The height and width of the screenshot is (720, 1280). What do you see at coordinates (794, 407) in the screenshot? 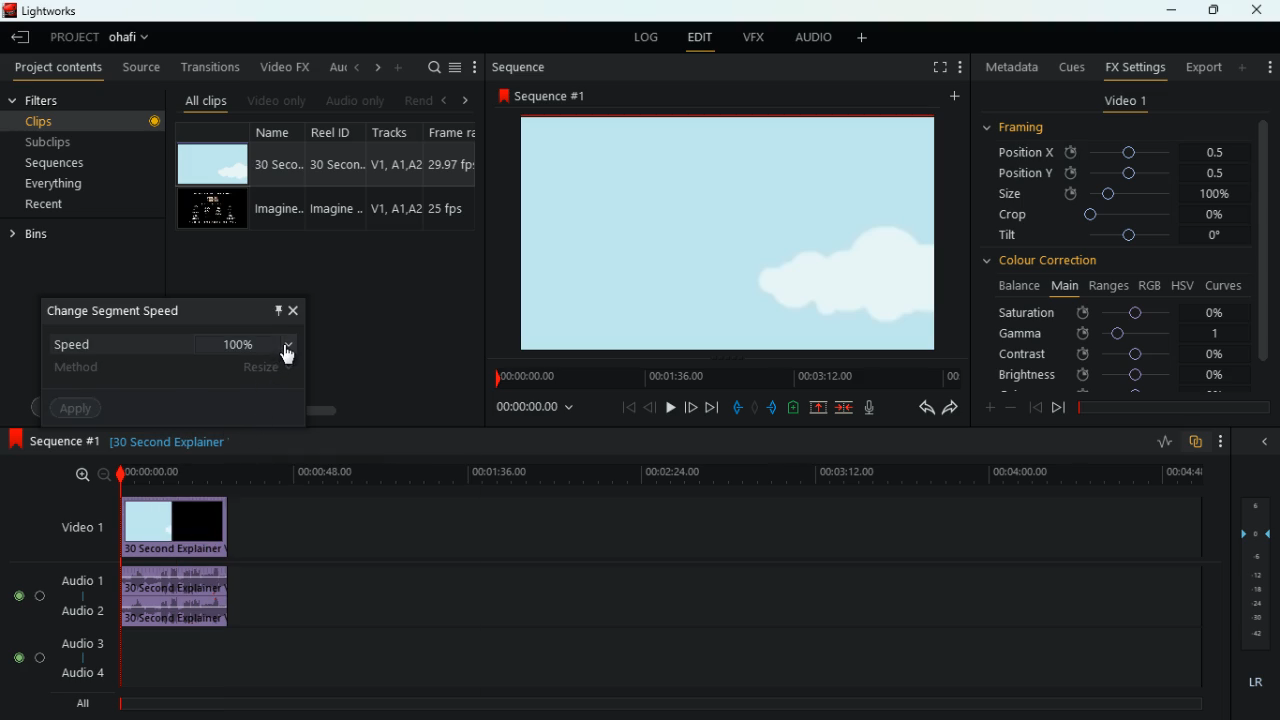
I see `charge` at bounding box center [794, 407].